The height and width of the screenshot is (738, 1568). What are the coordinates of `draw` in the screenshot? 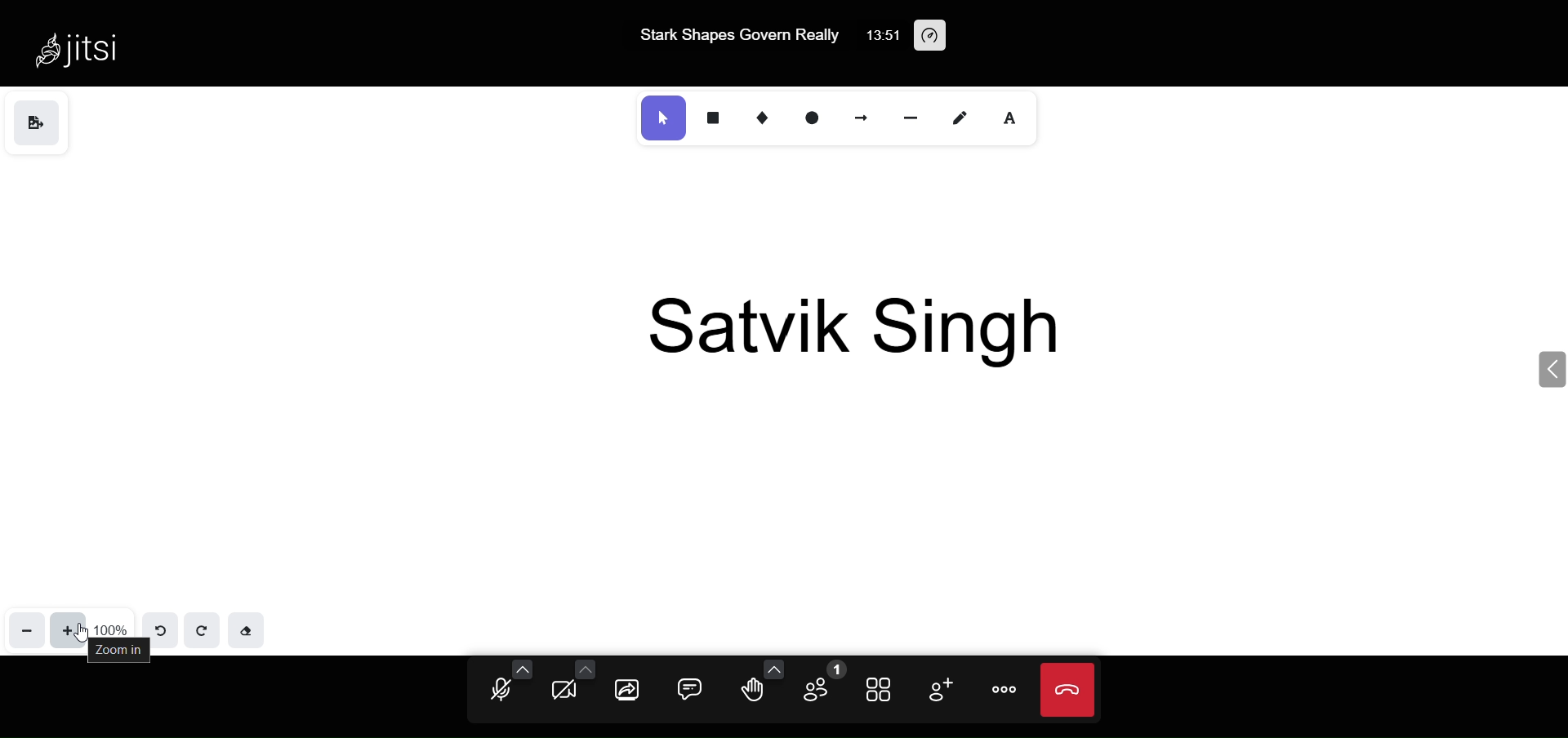 It's located at (960, 115).